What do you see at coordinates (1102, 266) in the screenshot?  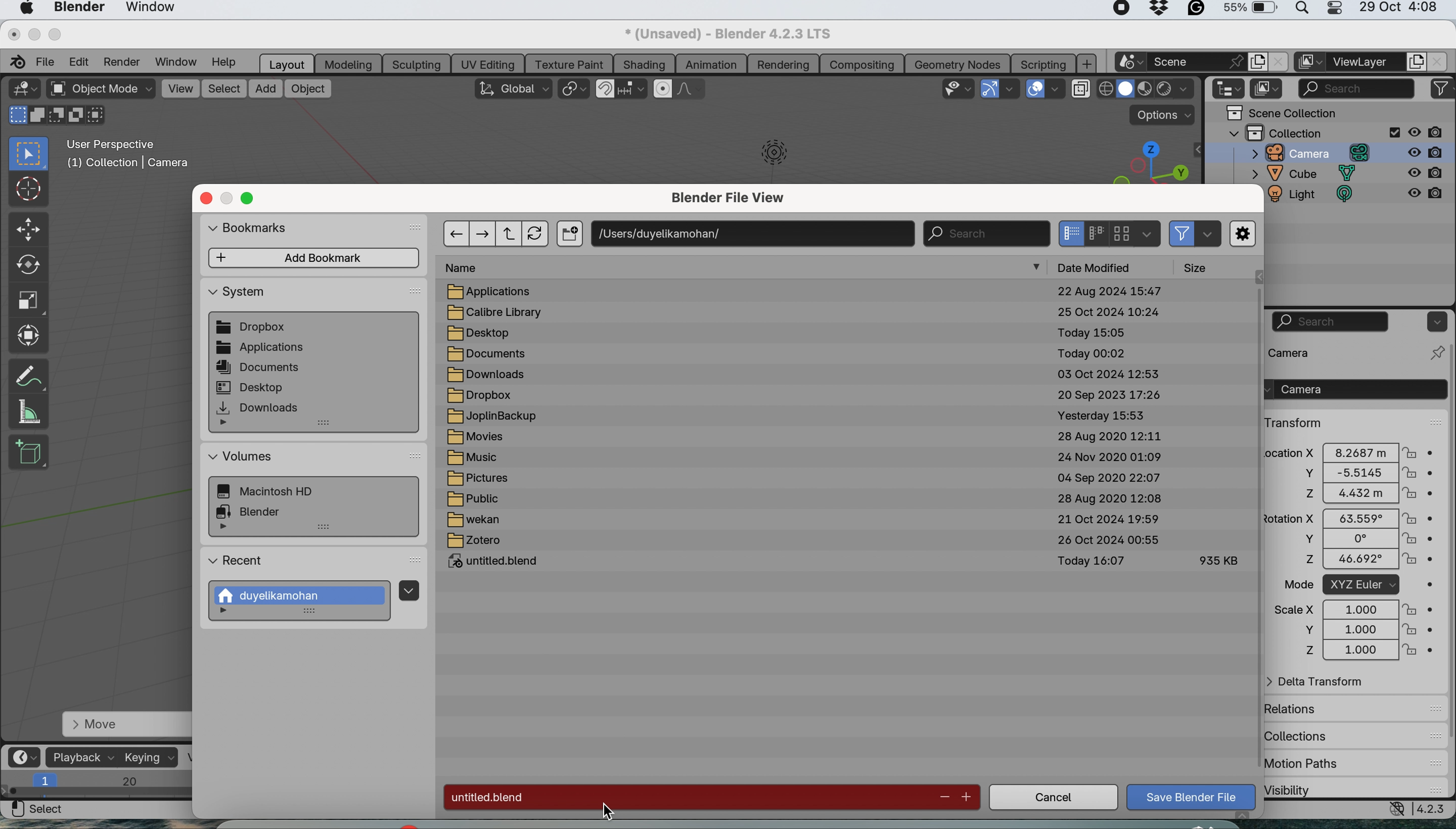 I see `date modified` at bounding box center [1102, 266].